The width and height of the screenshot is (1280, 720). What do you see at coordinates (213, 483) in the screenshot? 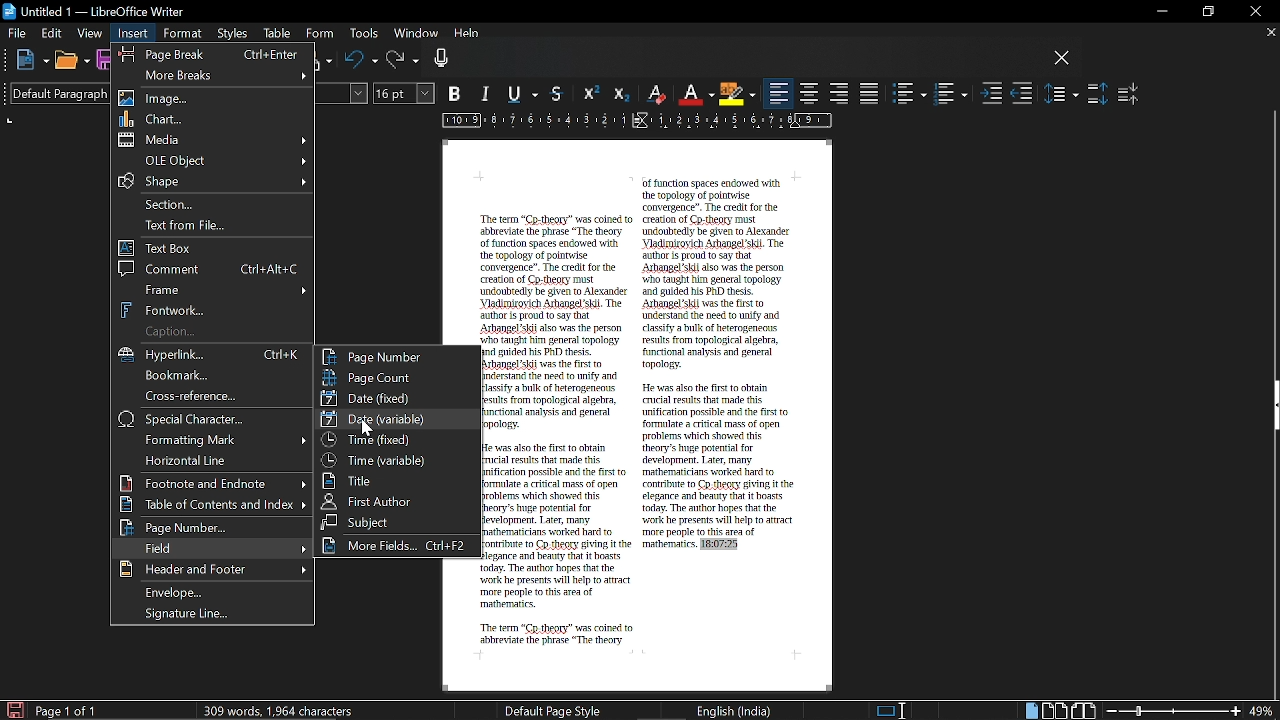
I see `Footnote and endnote` at bounding box center [213, 483].